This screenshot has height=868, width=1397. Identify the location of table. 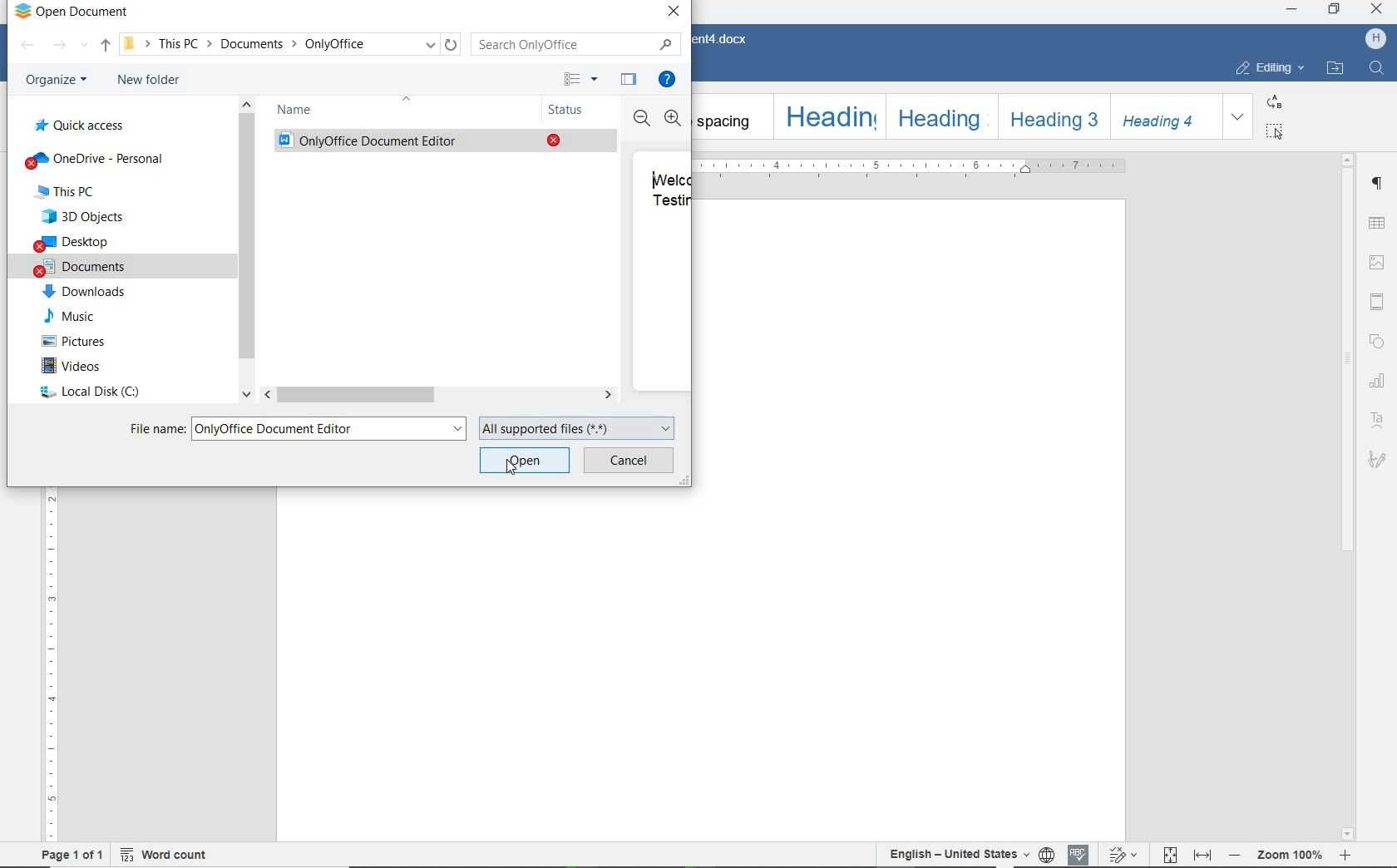
(1377, 224).